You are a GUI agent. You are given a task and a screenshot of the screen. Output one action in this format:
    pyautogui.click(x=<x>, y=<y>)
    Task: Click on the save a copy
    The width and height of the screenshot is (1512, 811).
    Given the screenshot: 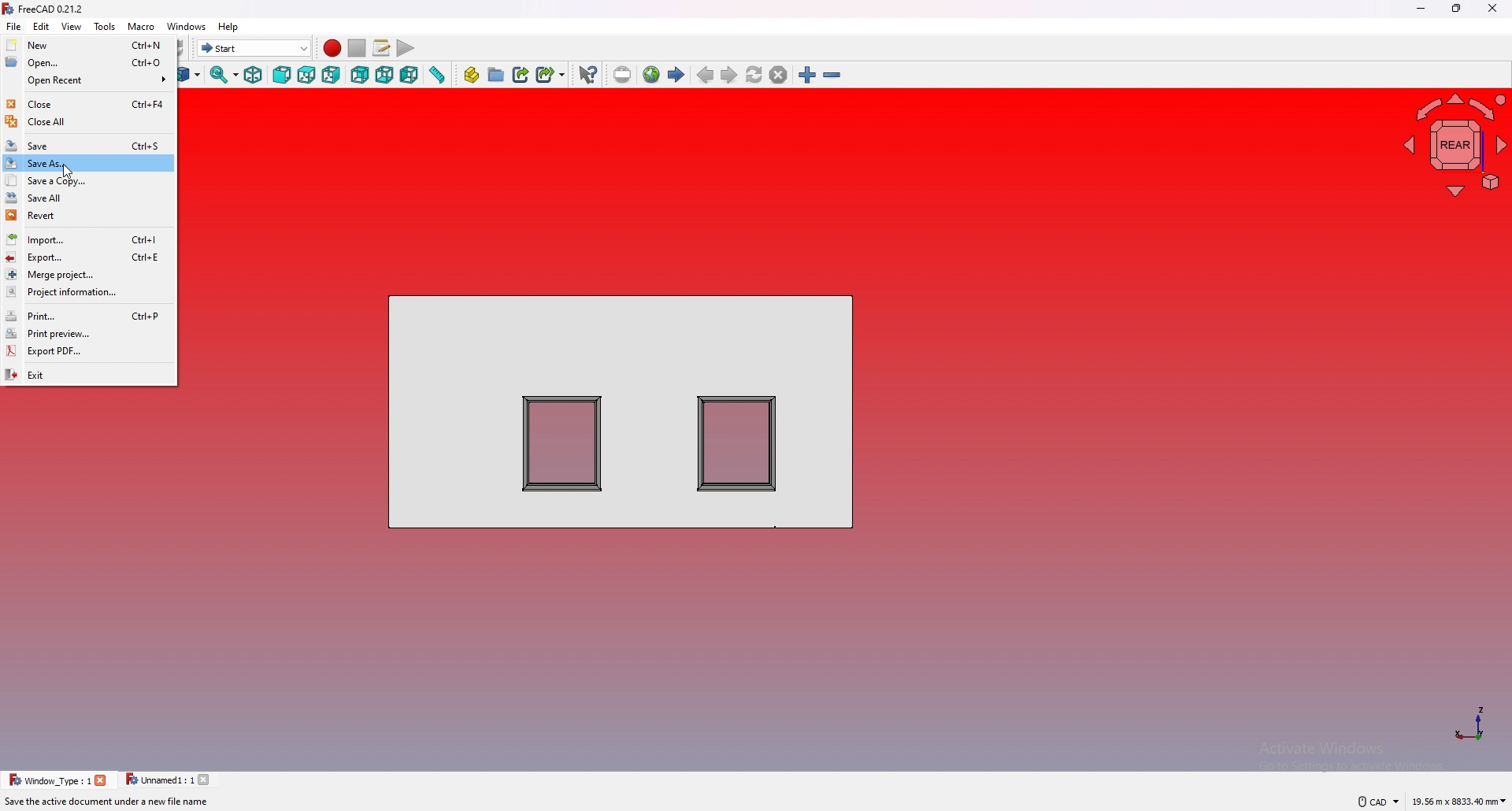 What is the action you would take?
    pyautogui.click(x=88, y=180)
    